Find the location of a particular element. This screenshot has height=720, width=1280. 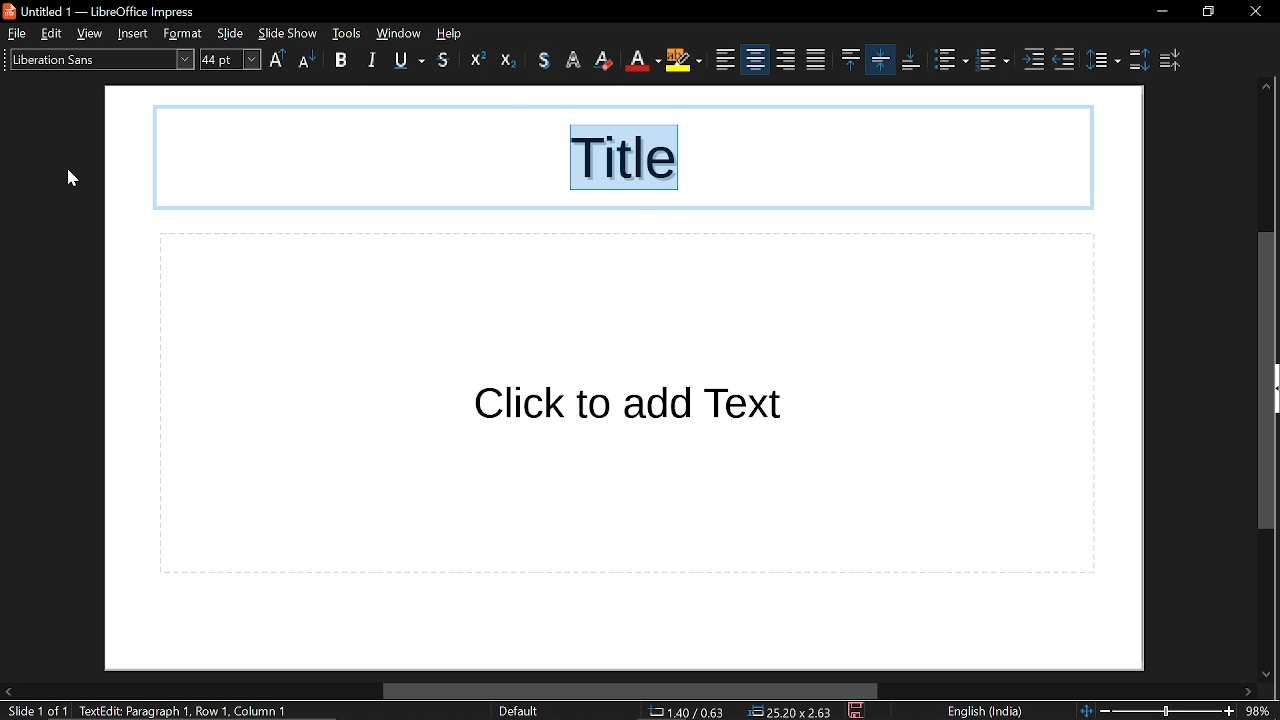

highlight is located at coordinates (644, 60).